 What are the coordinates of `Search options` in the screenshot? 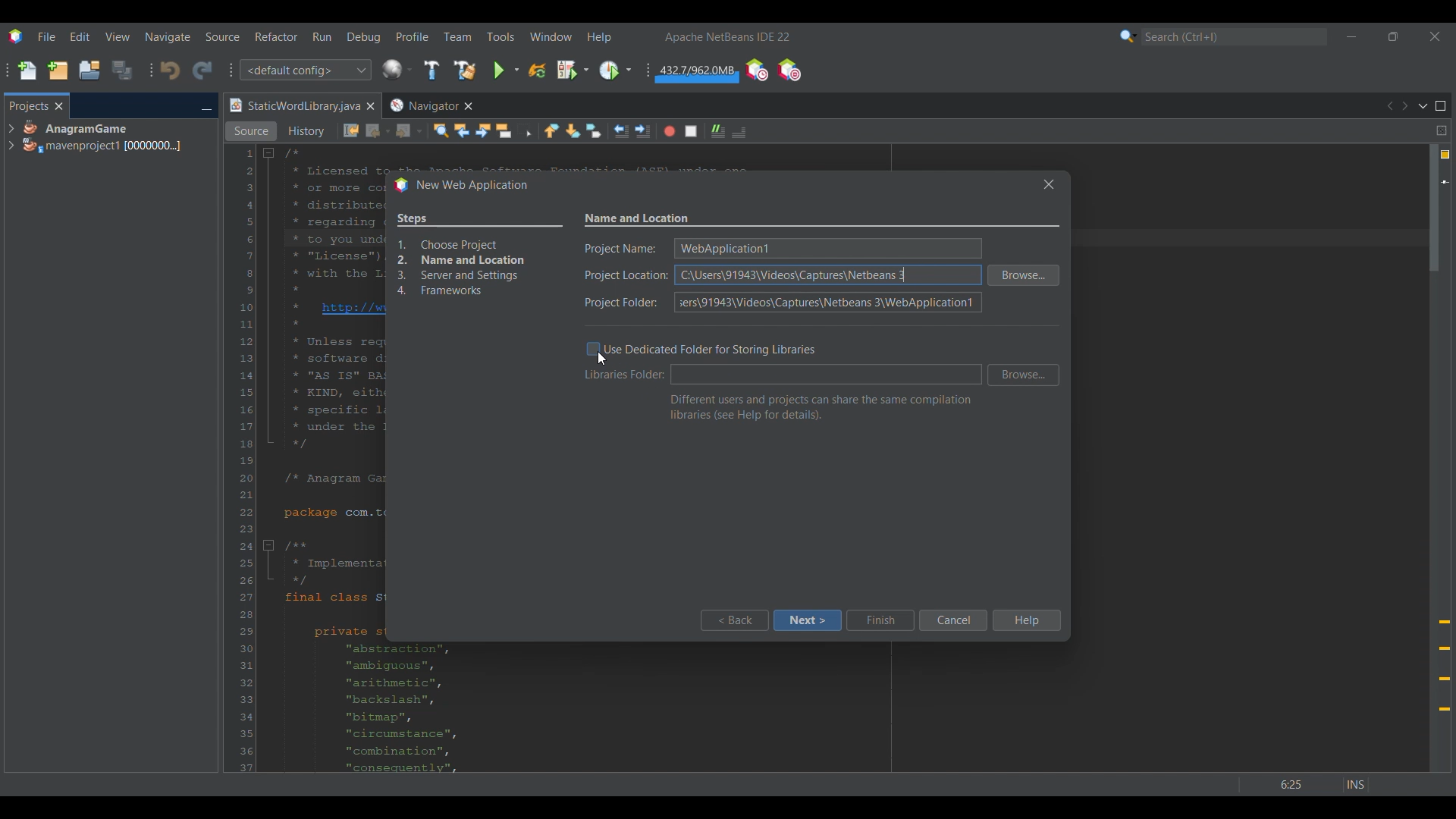 It's located at (1128, 36).